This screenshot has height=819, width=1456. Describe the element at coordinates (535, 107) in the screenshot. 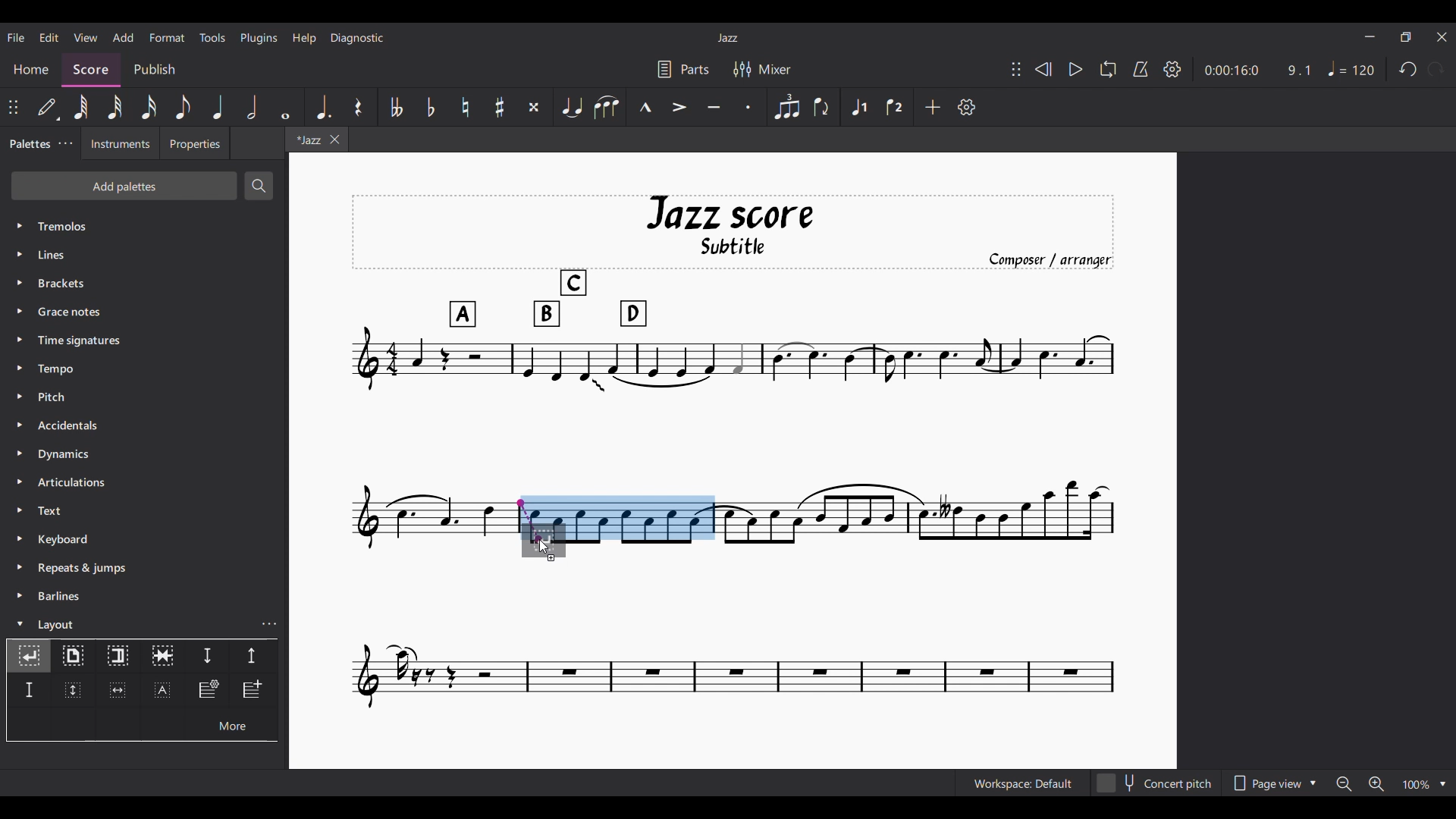

I see `Toggle double sharp` at that location.